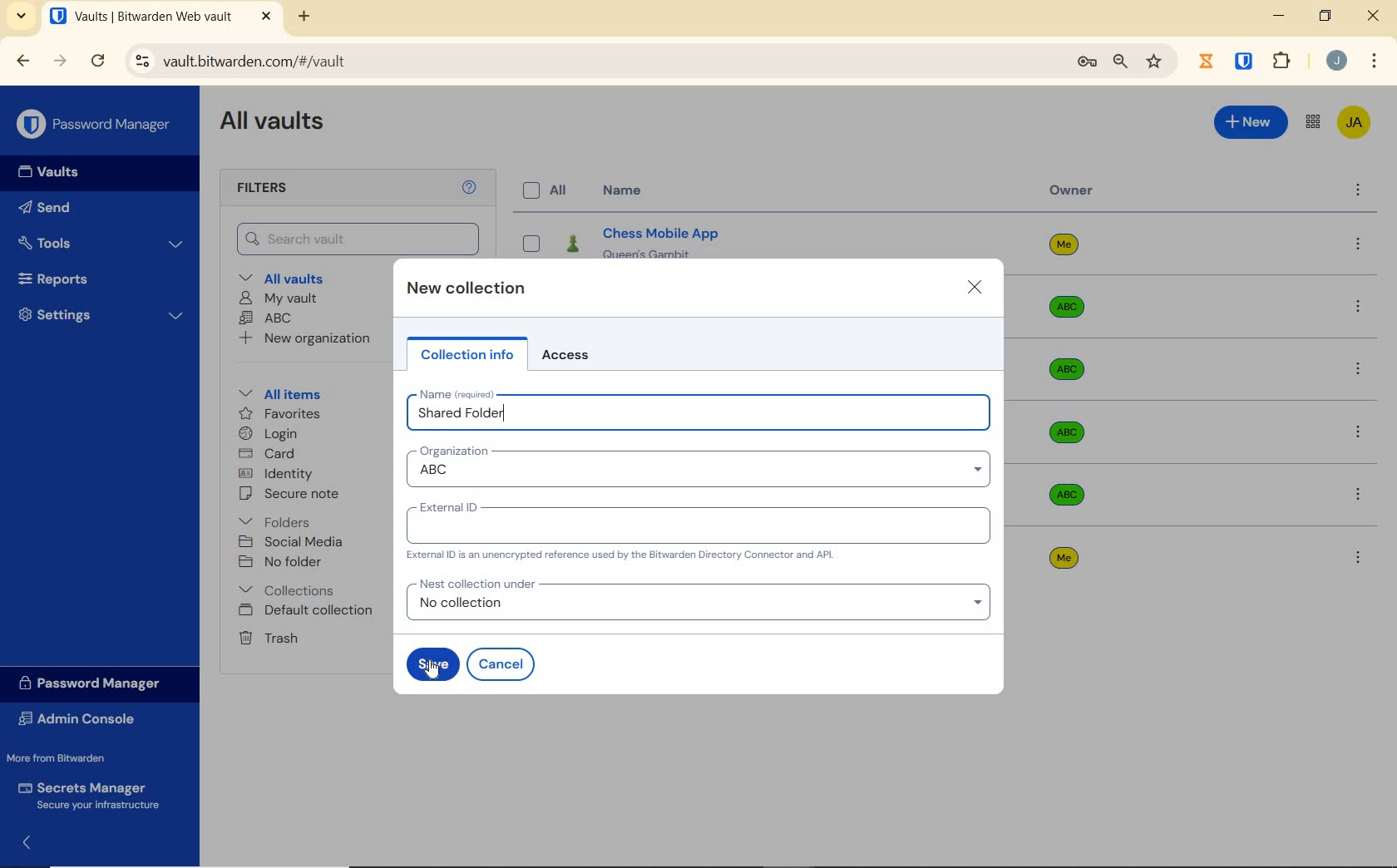  I want to click on backward, so click(24, 62).